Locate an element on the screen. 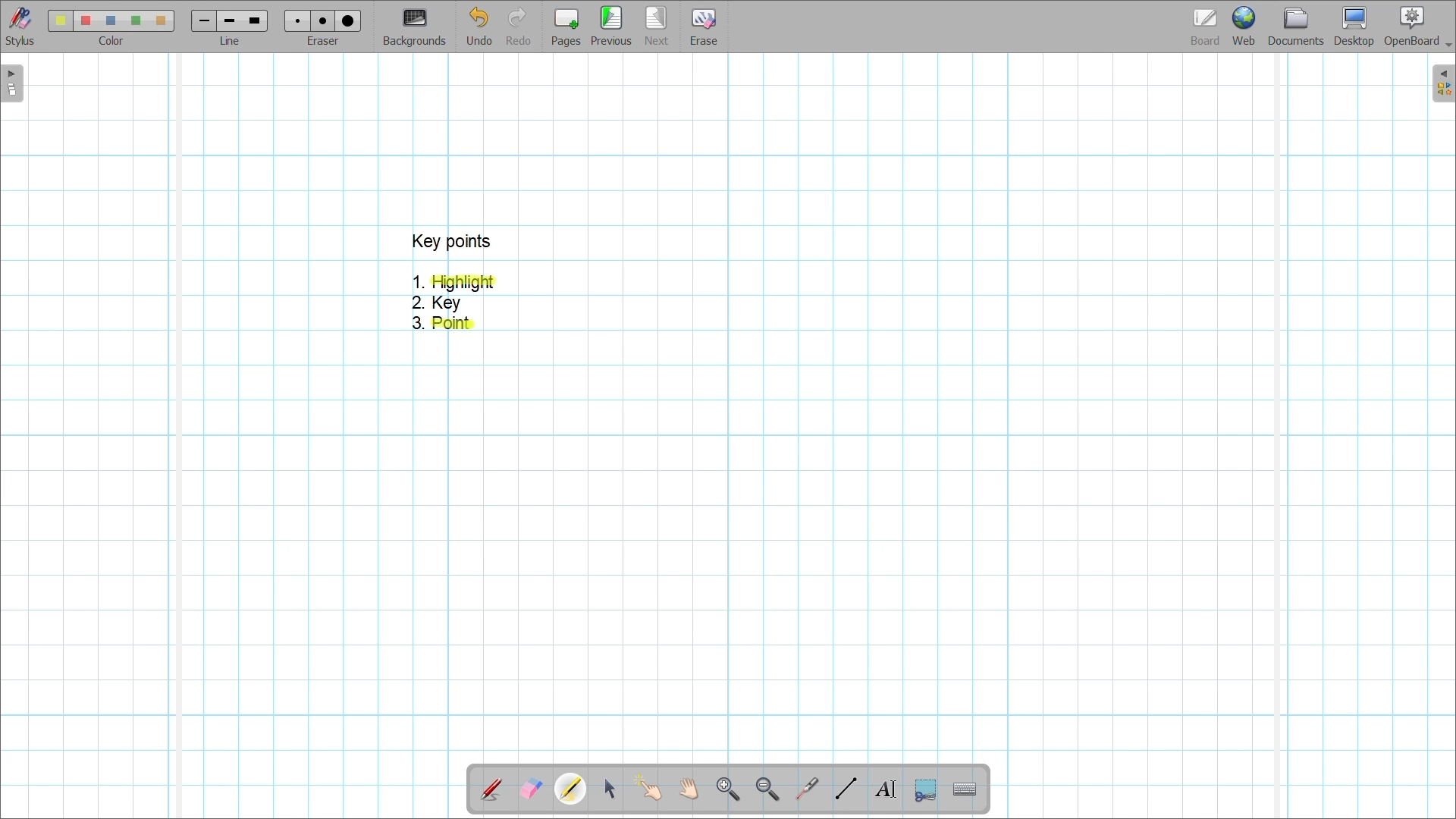  Zoom out is located at coordinates (768, 790).